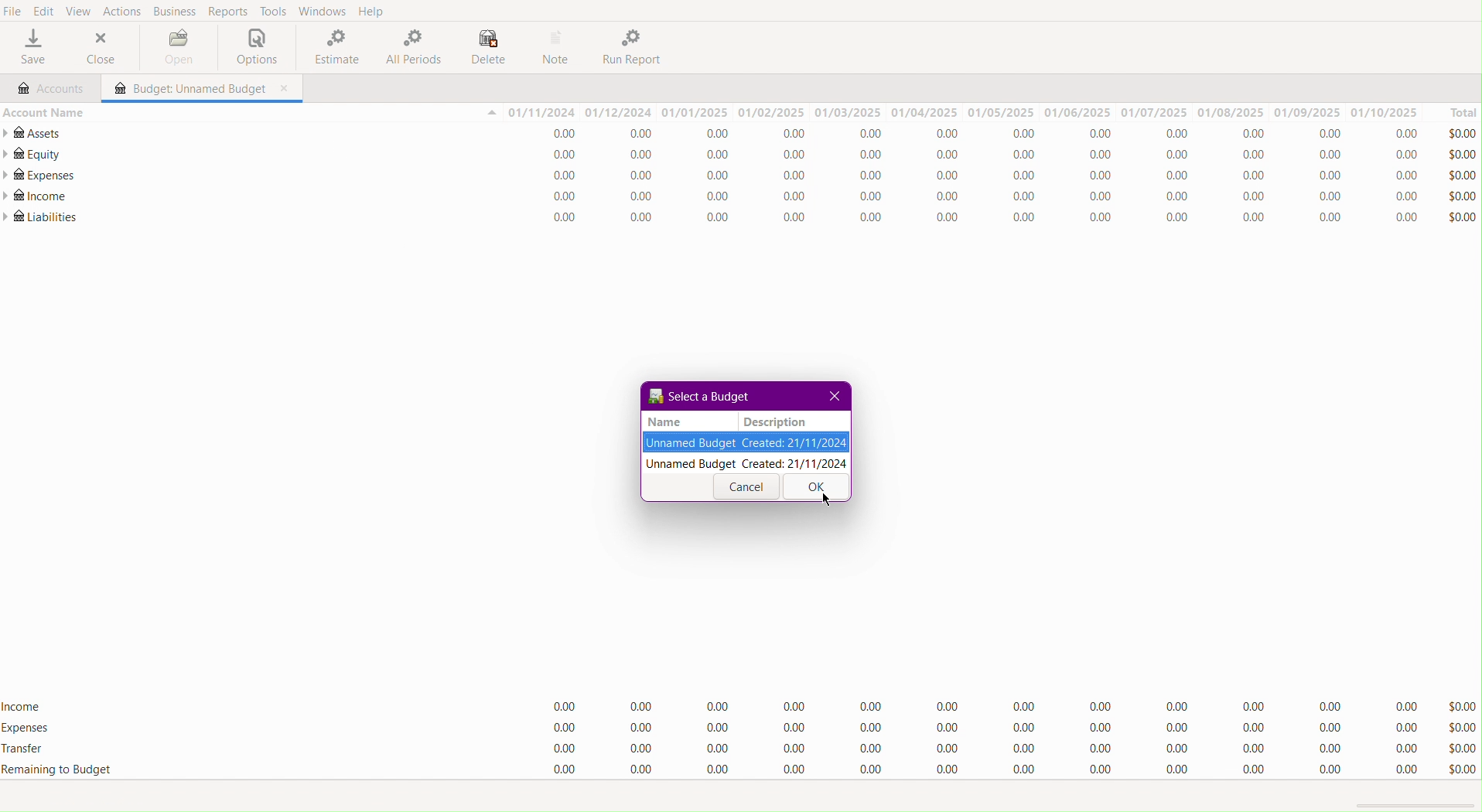 The image size is (1482, 812). I want to click on Delete, so click(487, 46).